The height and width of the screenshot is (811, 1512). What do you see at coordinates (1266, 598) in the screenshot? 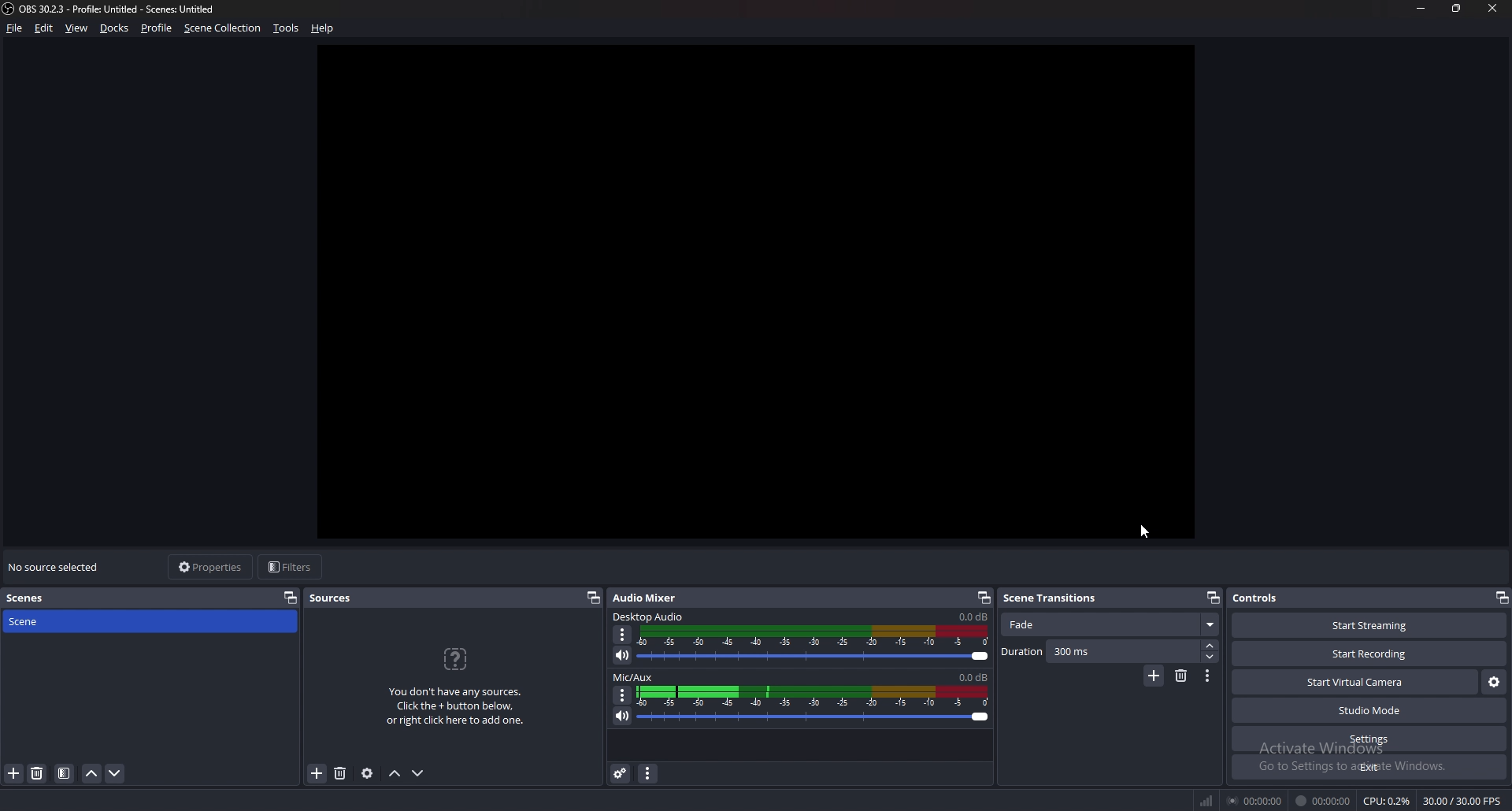
I see `controls` at bounding box center [1266, 598].